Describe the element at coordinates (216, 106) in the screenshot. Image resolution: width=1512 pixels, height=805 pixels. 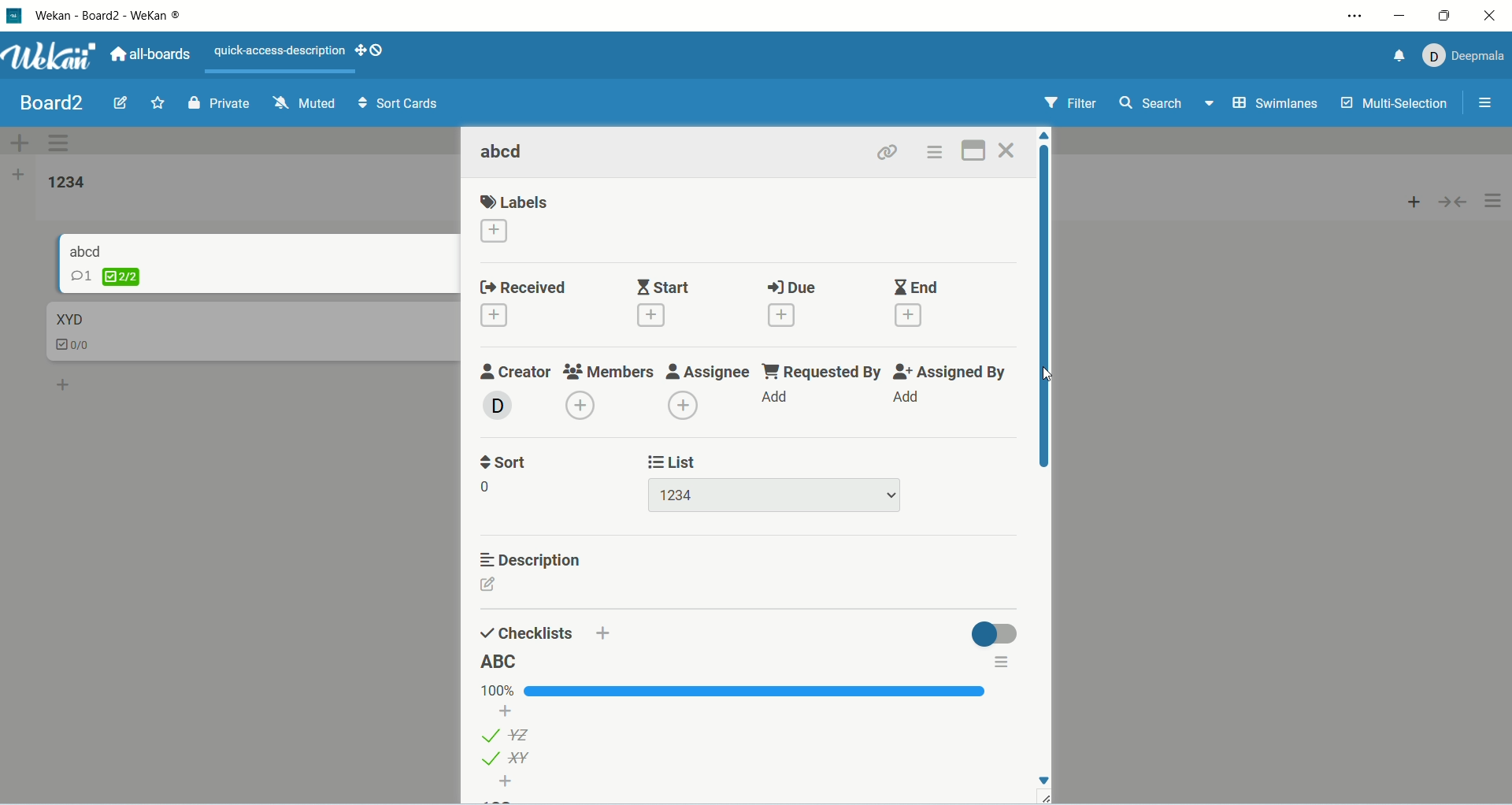
I see `private` at that location.